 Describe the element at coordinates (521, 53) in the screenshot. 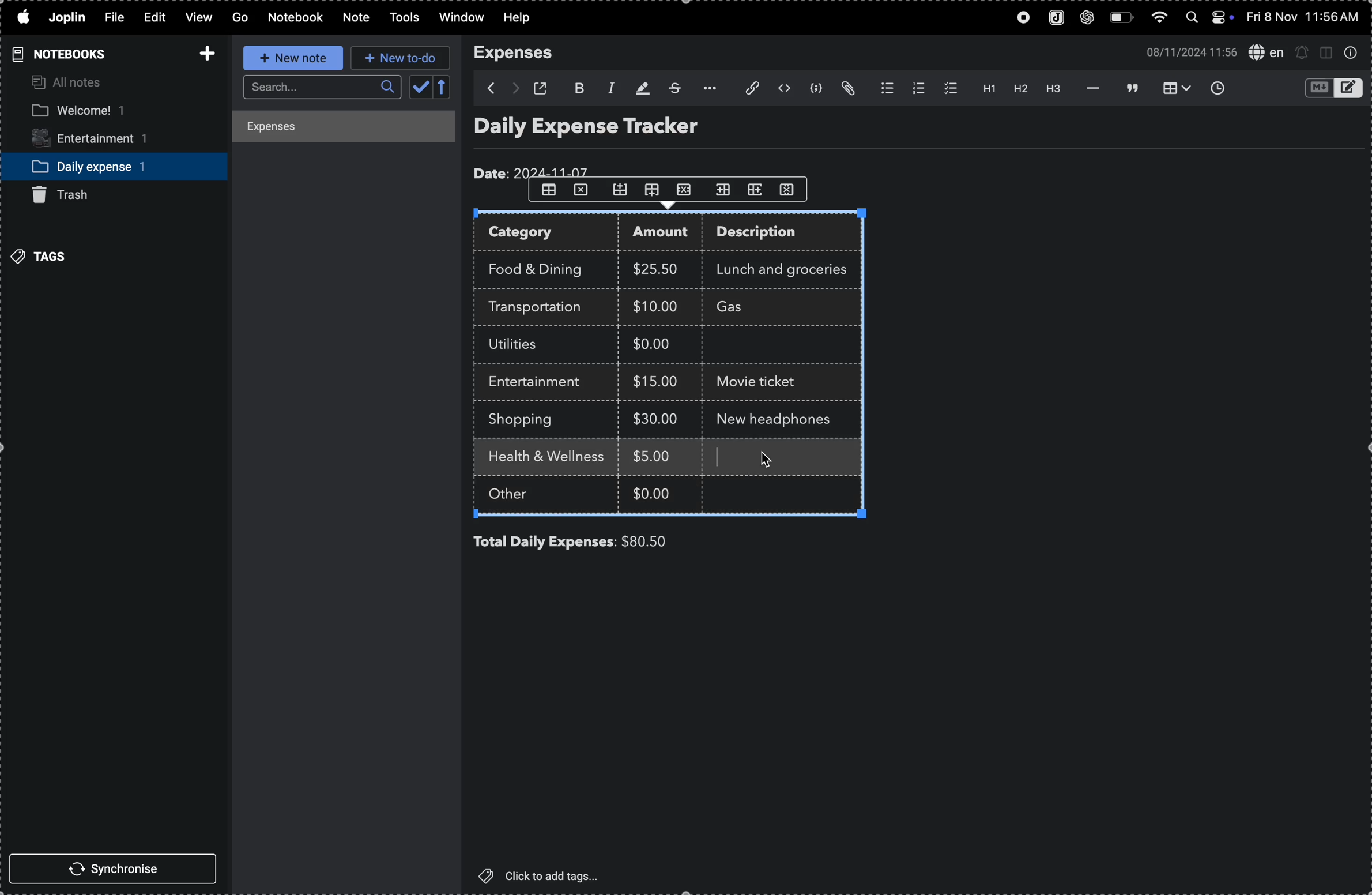

I see `expenses` at that location.